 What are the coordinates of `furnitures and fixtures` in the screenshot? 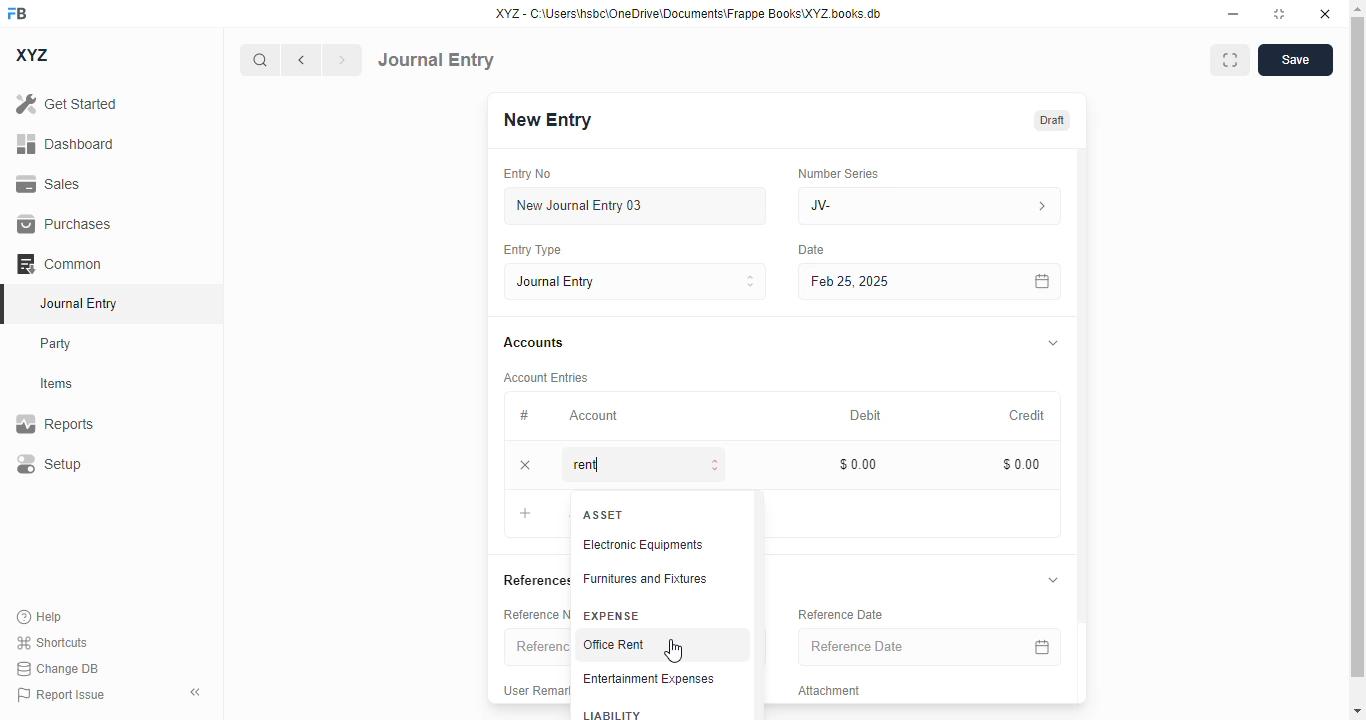 It's located at (647, 579).